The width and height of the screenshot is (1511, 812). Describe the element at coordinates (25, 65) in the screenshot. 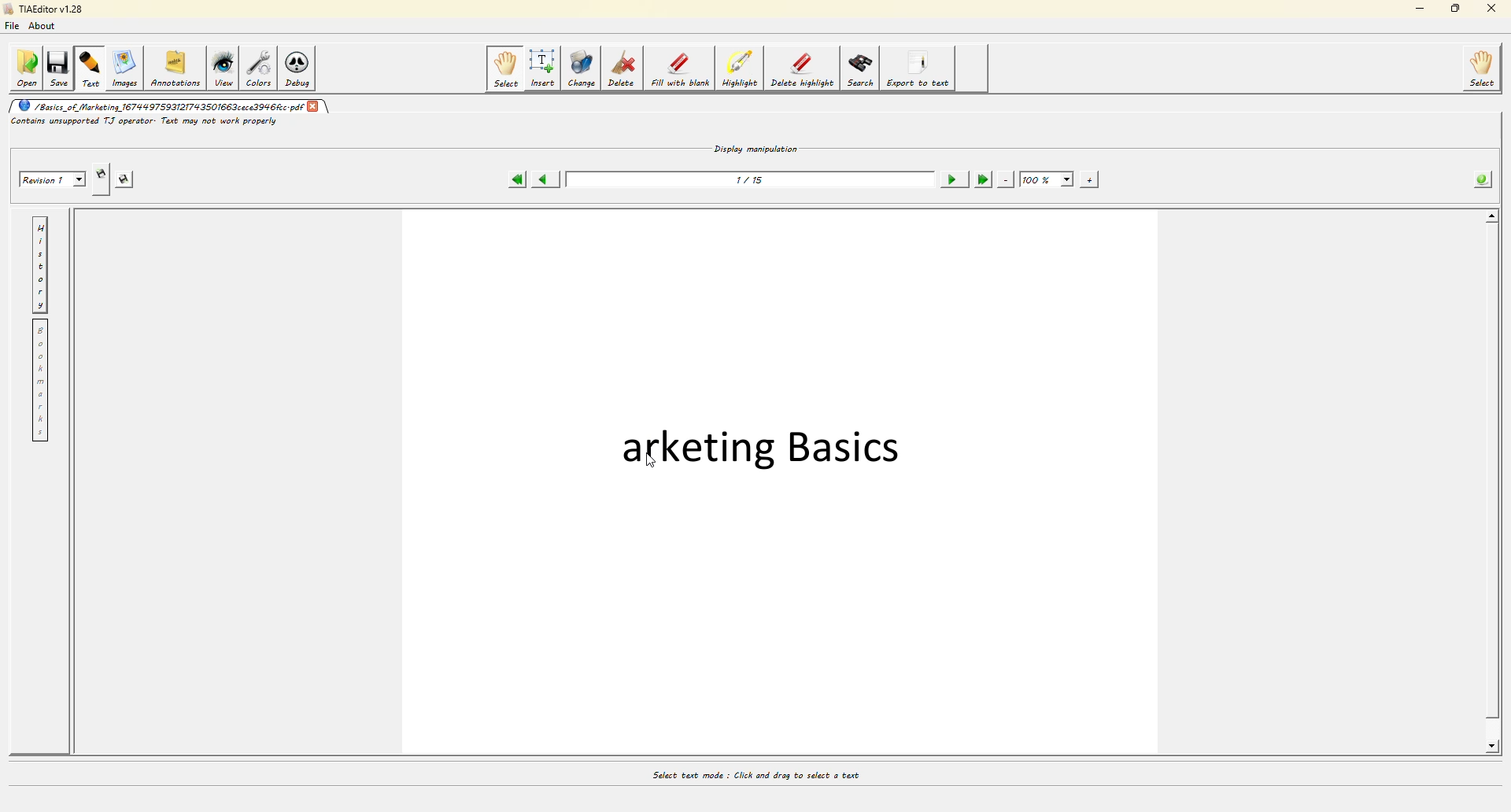

I see `open` at that location.